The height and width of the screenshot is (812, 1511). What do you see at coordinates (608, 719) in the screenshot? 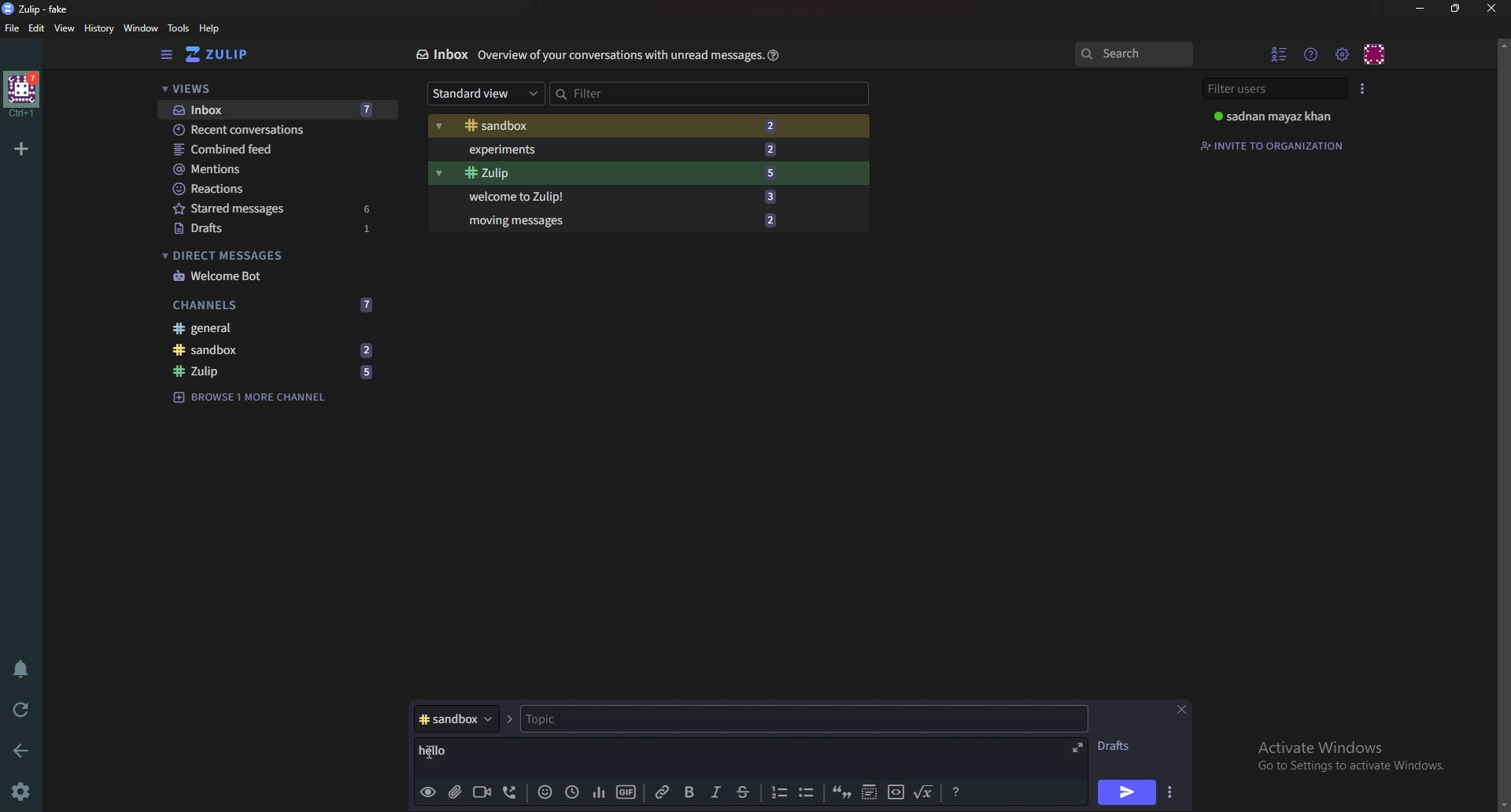
I see `Topic` at bounding box center [608, 719].